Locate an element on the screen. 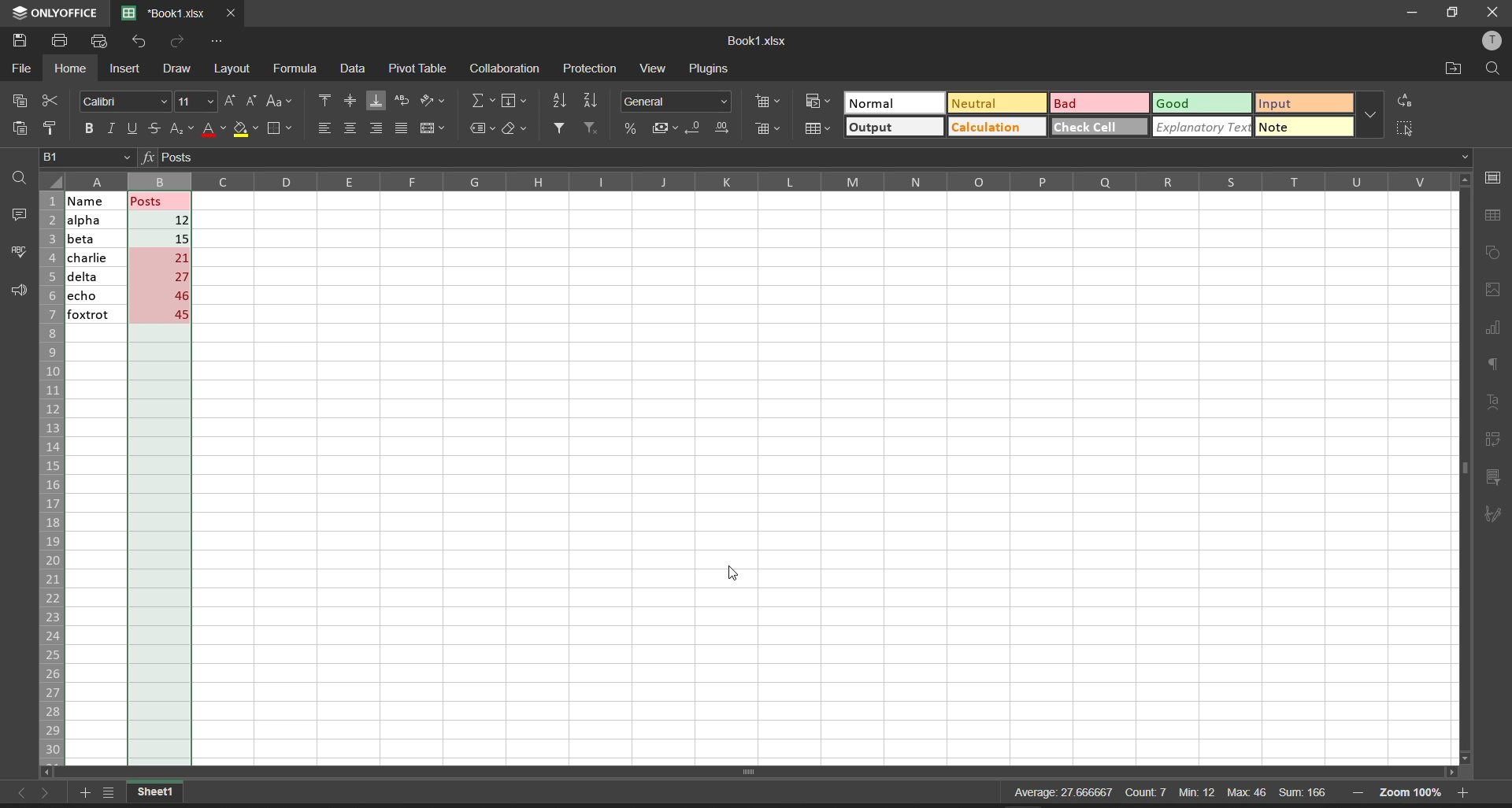 The width and height of the screenshot is (1512, 808). number format is located at coordinates (677, 101).